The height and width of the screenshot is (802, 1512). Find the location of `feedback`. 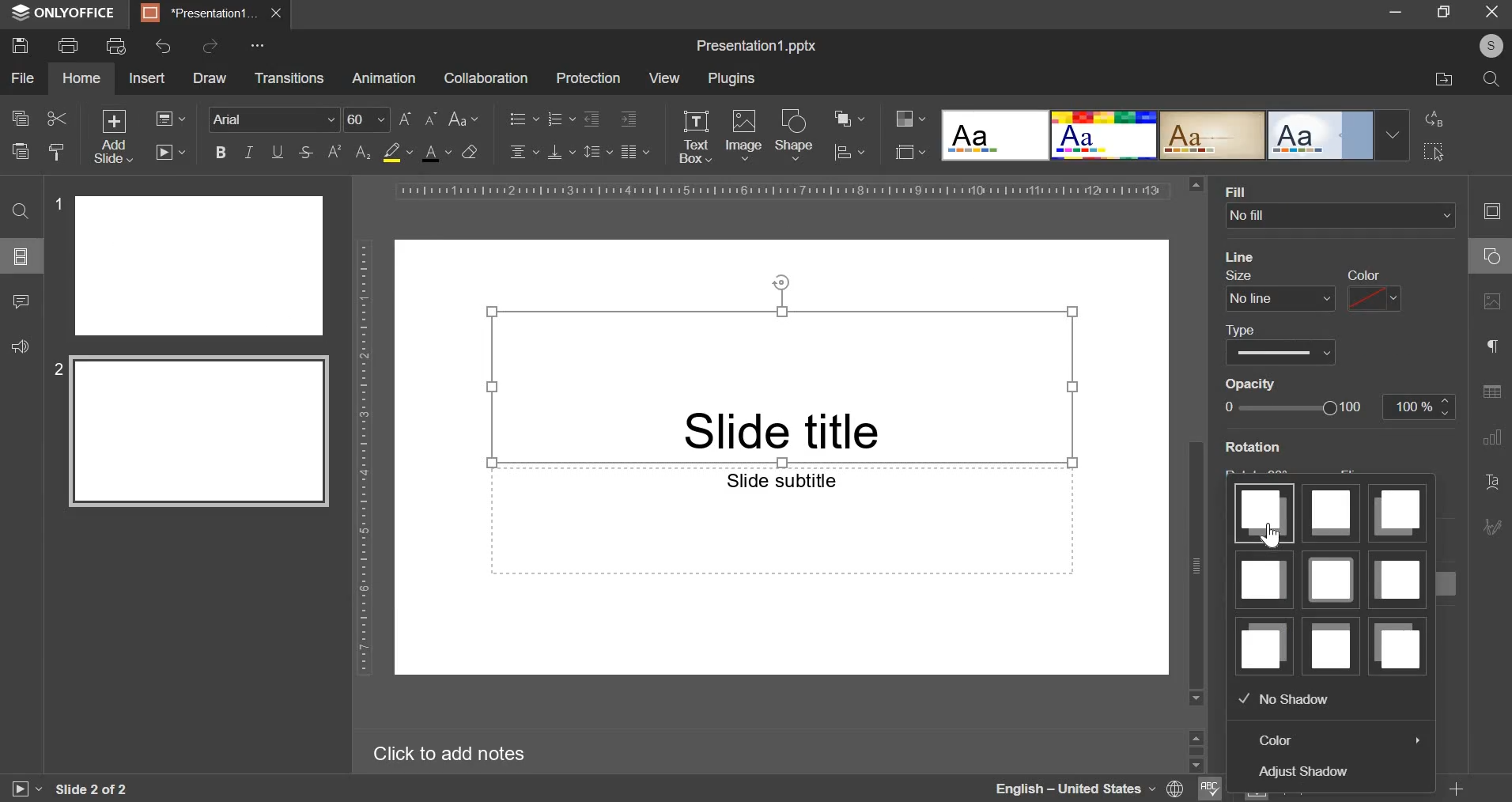

feedback is located at coordinates (17, 344).